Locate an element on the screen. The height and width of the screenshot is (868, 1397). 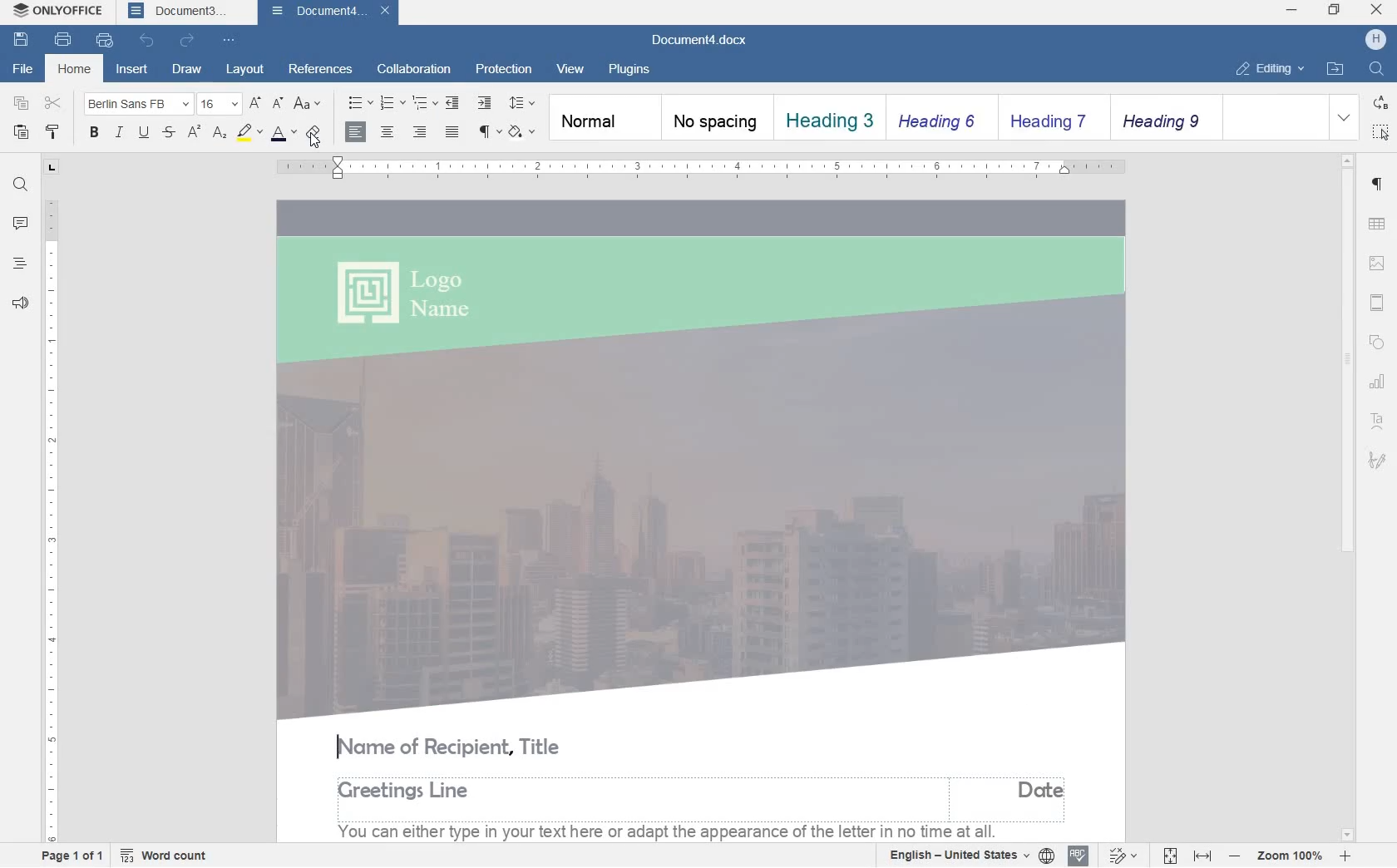
layout is located at coordinates (242, 72).